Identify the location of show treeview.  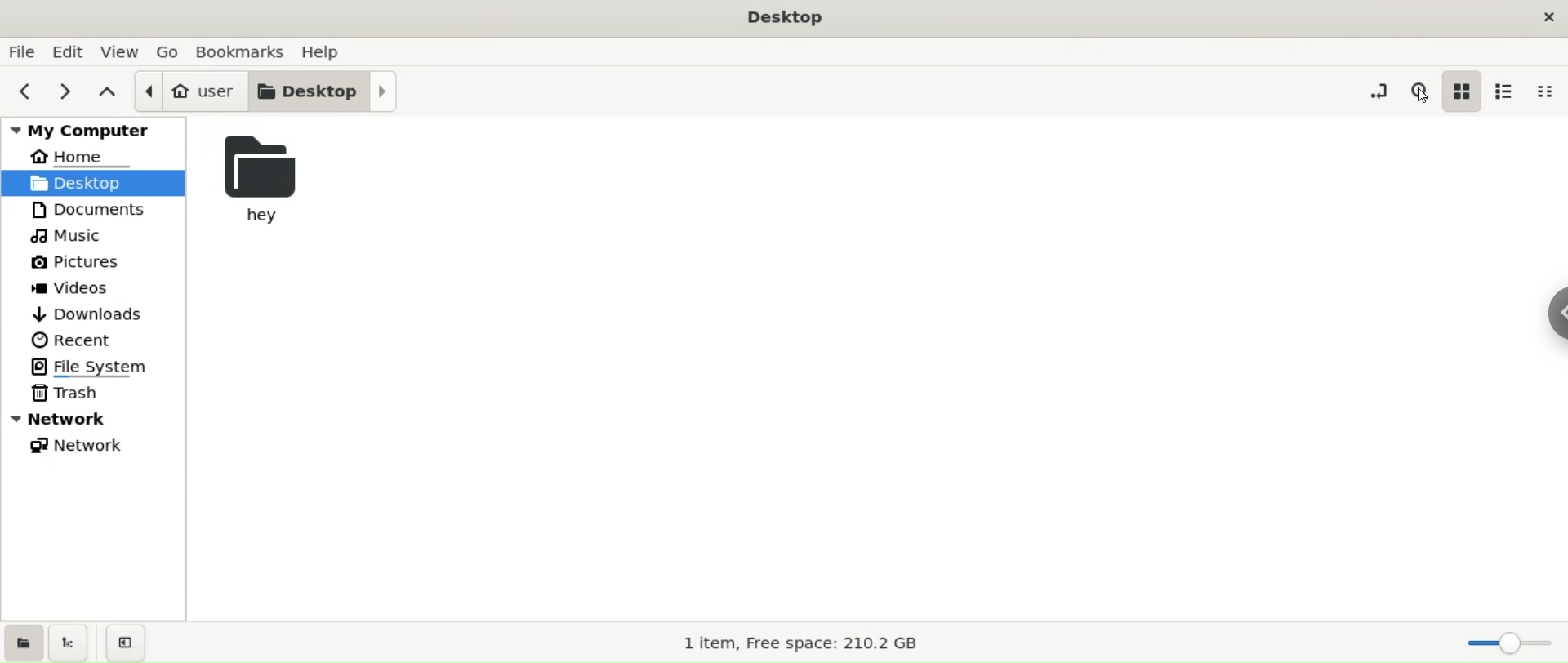
(70, 642).